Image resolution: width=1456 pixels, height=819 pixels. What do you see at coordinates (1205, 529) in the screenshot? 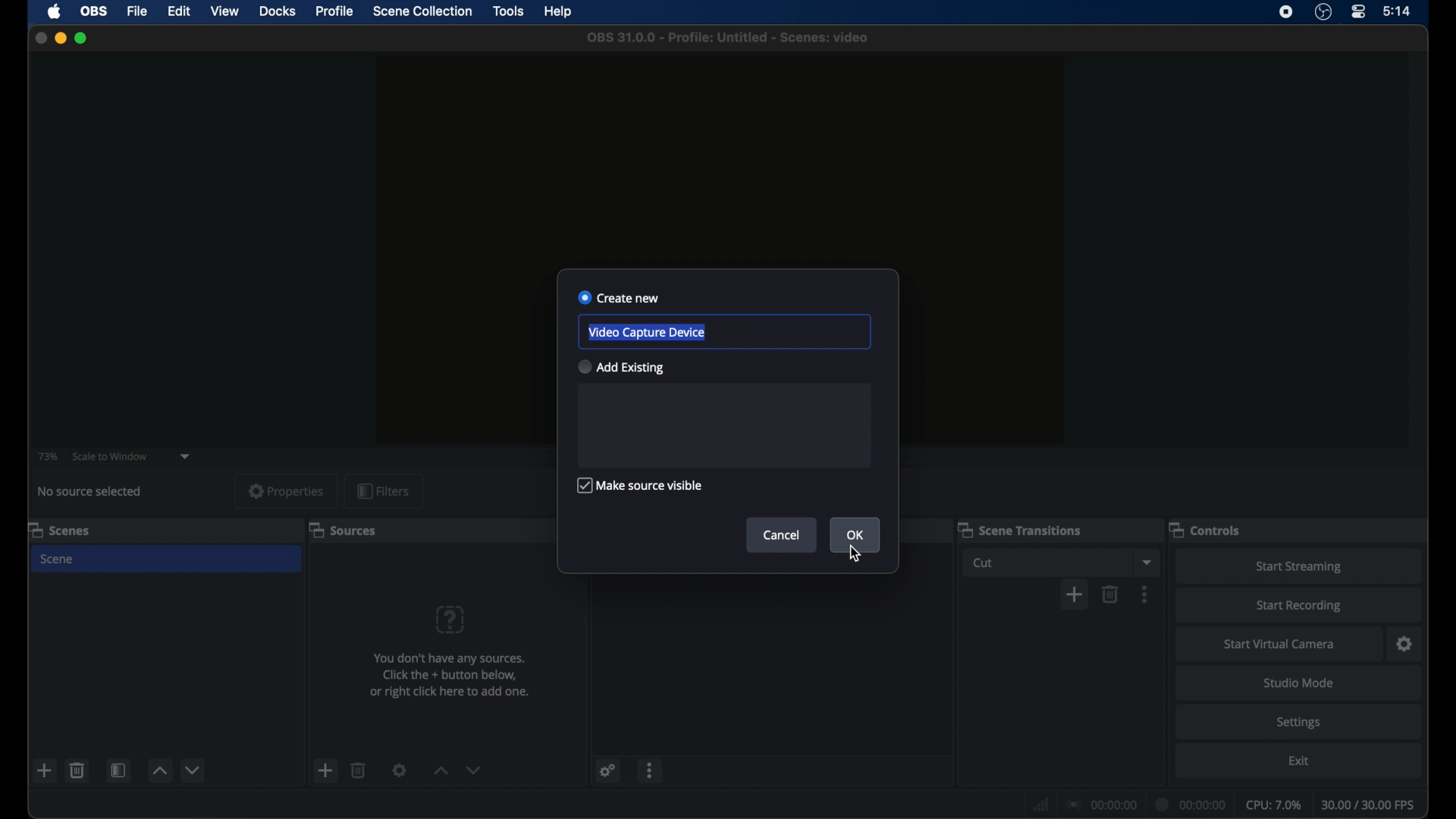
I see `controls` at bounding box center [1205, 529].